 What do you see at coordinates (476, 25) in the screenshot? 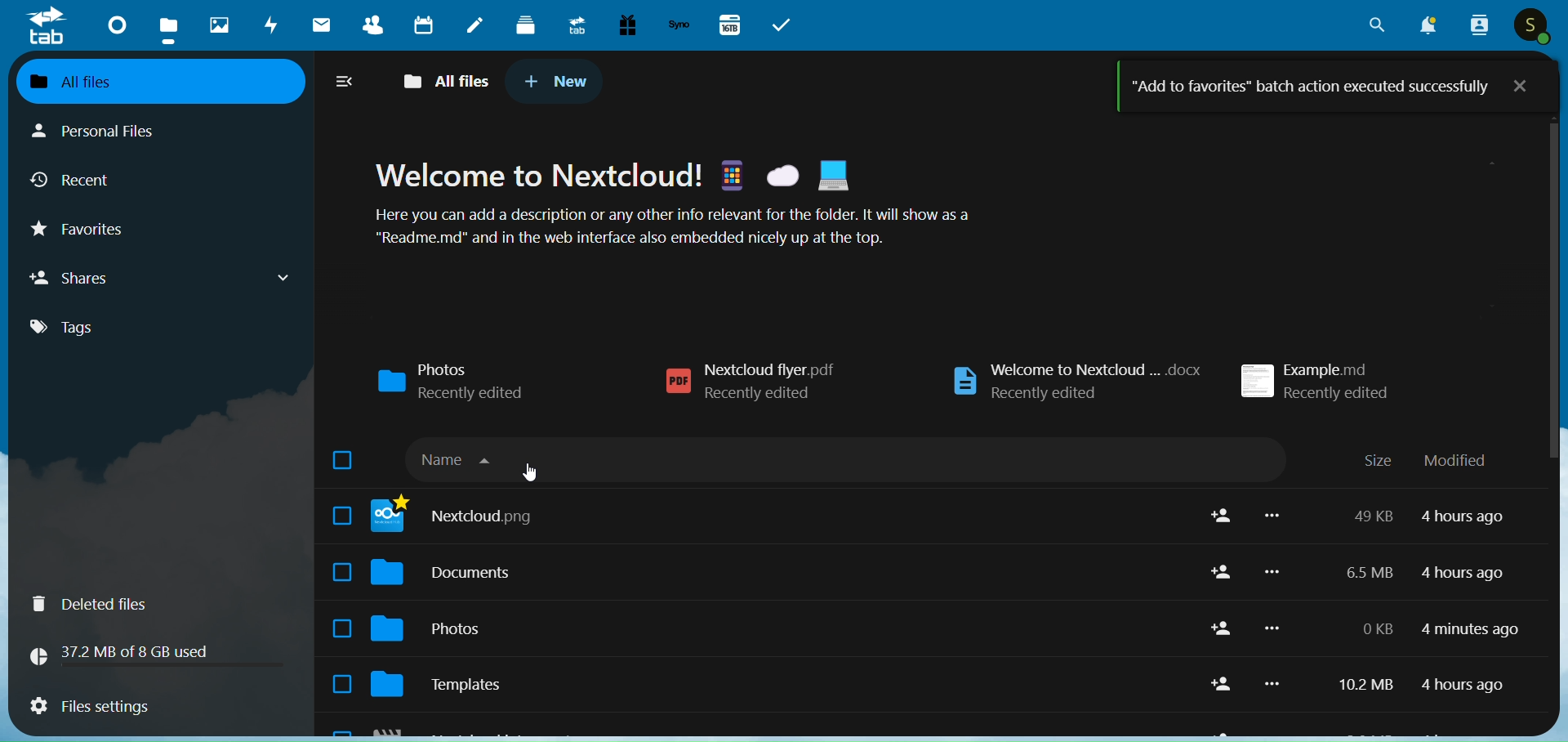
I see `notes` at bounding box center [476, 25].